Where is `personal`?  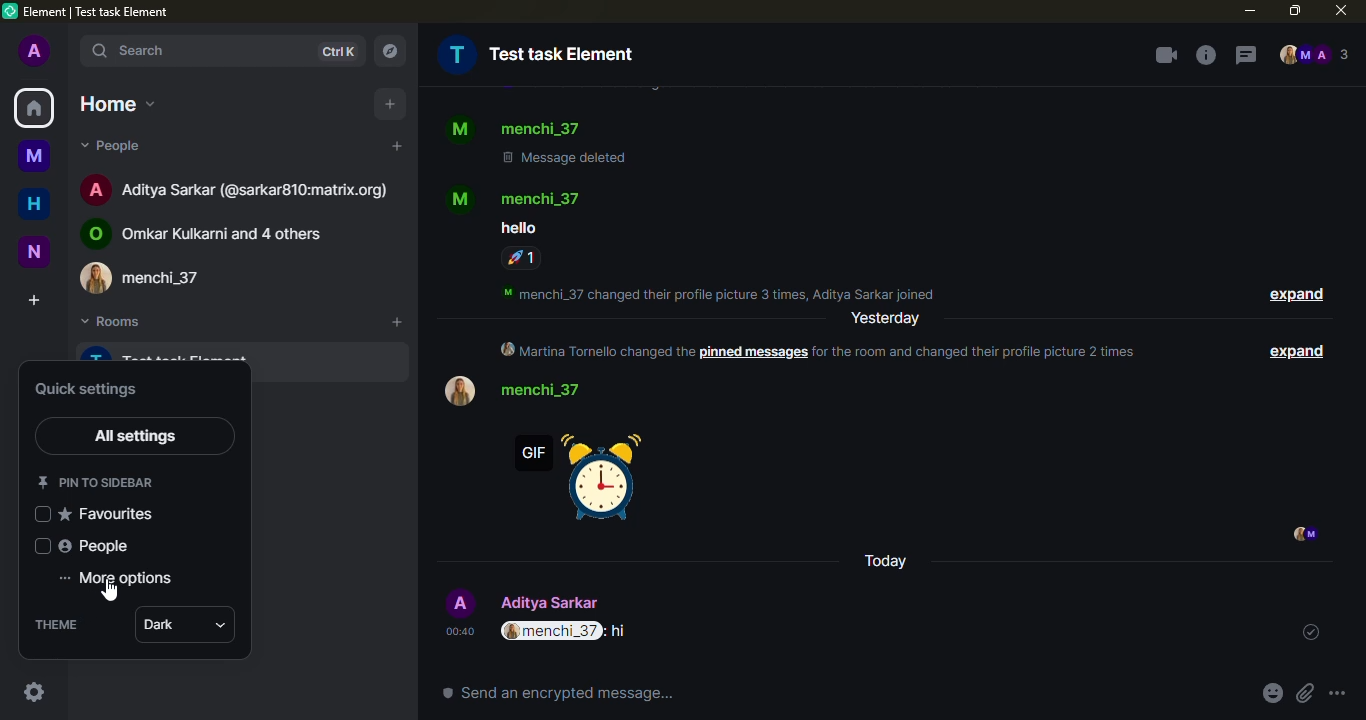
personal is located at coordinates (557, 601).